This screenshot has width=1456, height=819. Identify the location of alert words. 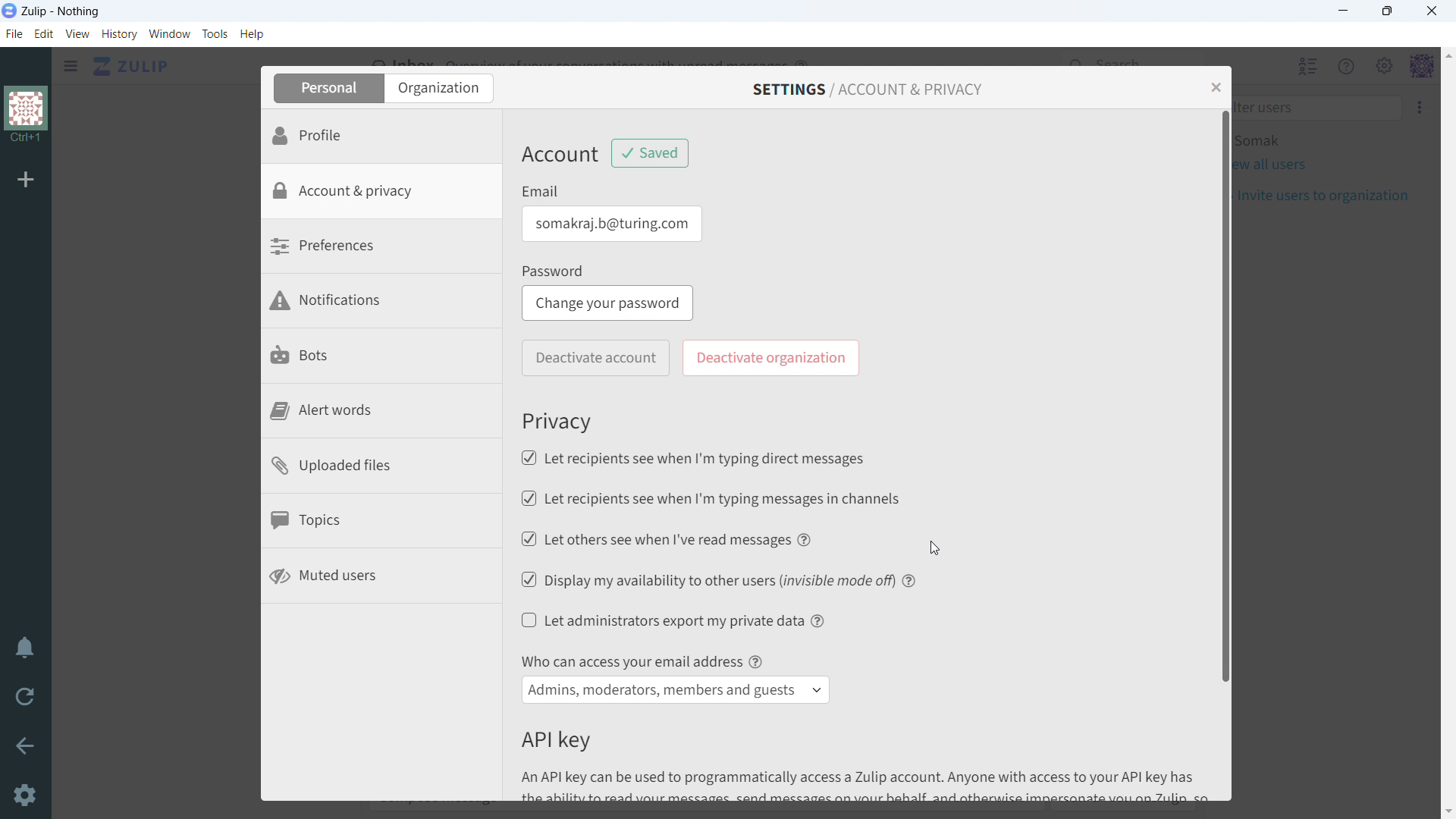
(380, 411).